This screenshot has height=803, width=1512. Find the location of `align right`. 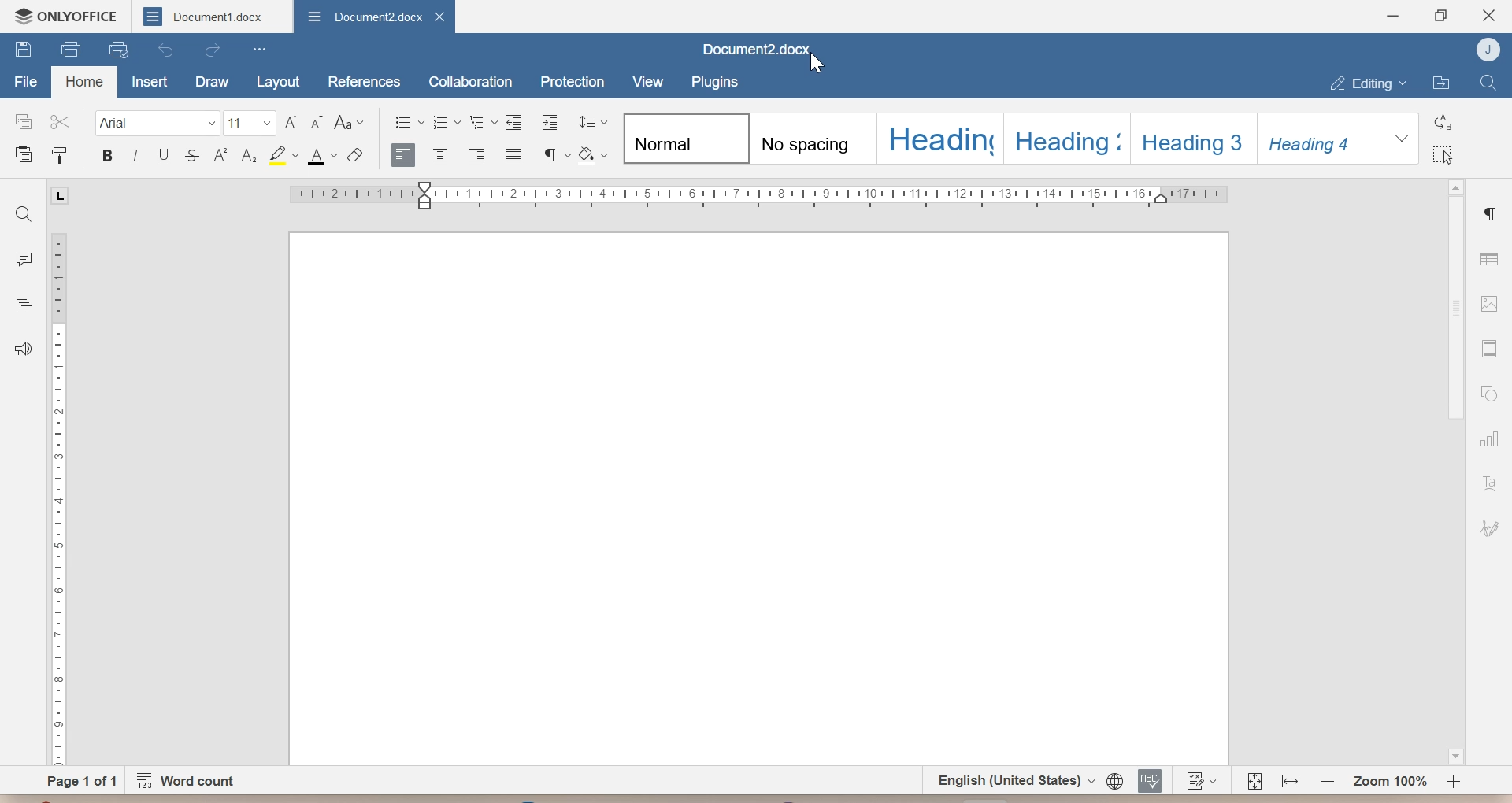

align right is located at coordinates (478, 156).